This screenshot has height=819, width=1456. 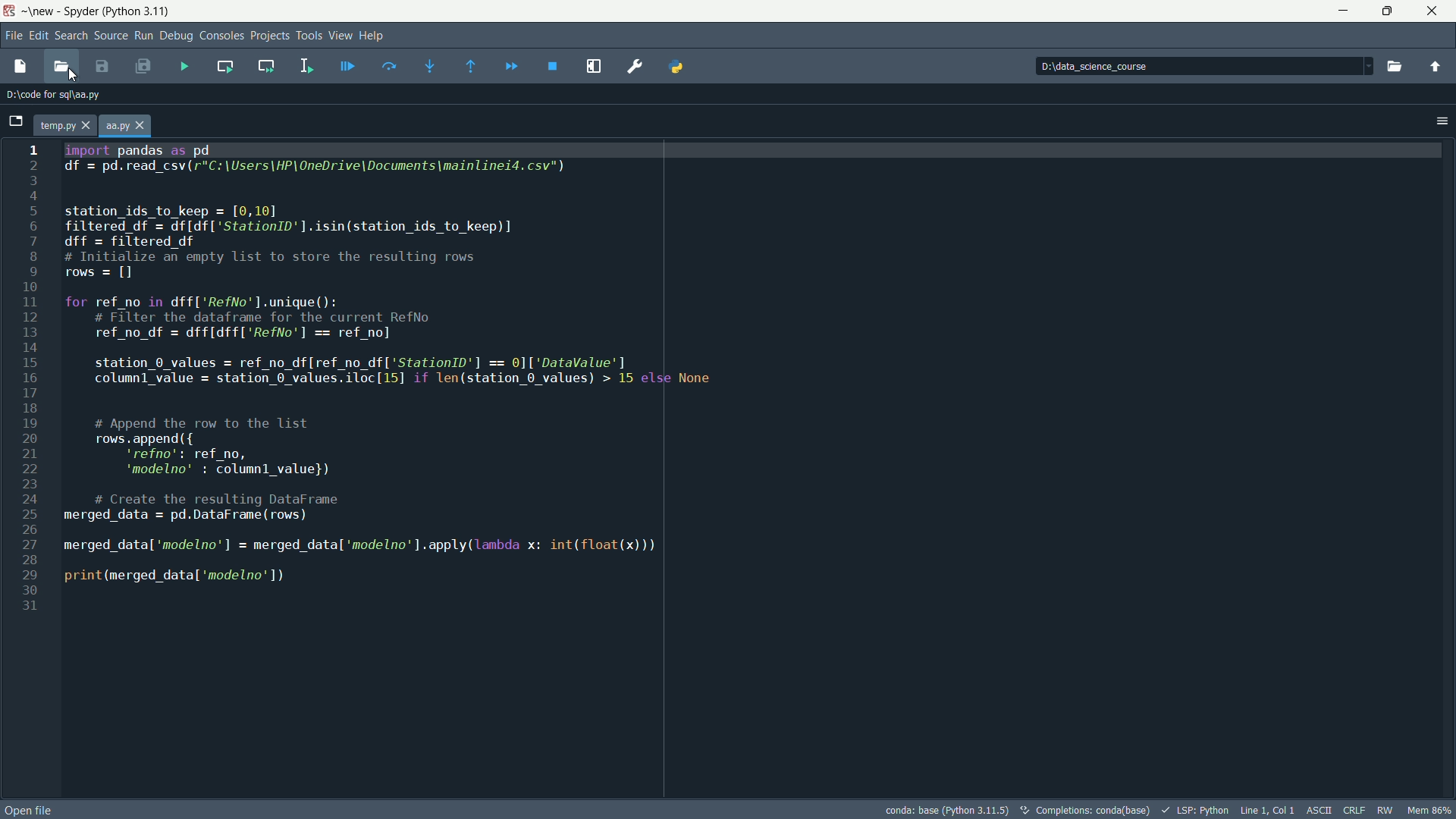 I want to click on file eol status, so click(x=1354, y=810).